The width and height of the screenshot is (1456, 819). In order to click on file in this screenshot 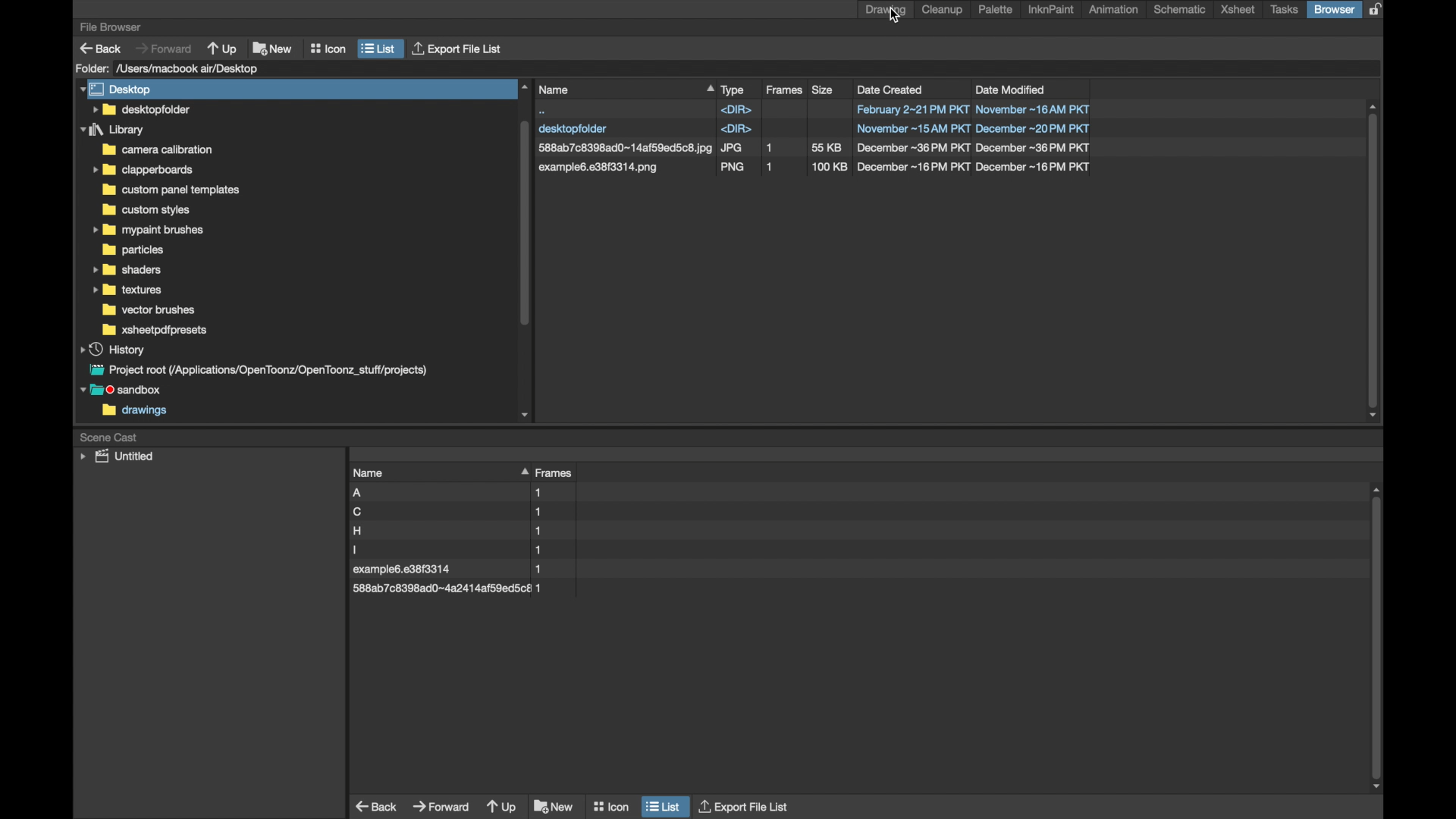, I will do `click(447, 531)`.